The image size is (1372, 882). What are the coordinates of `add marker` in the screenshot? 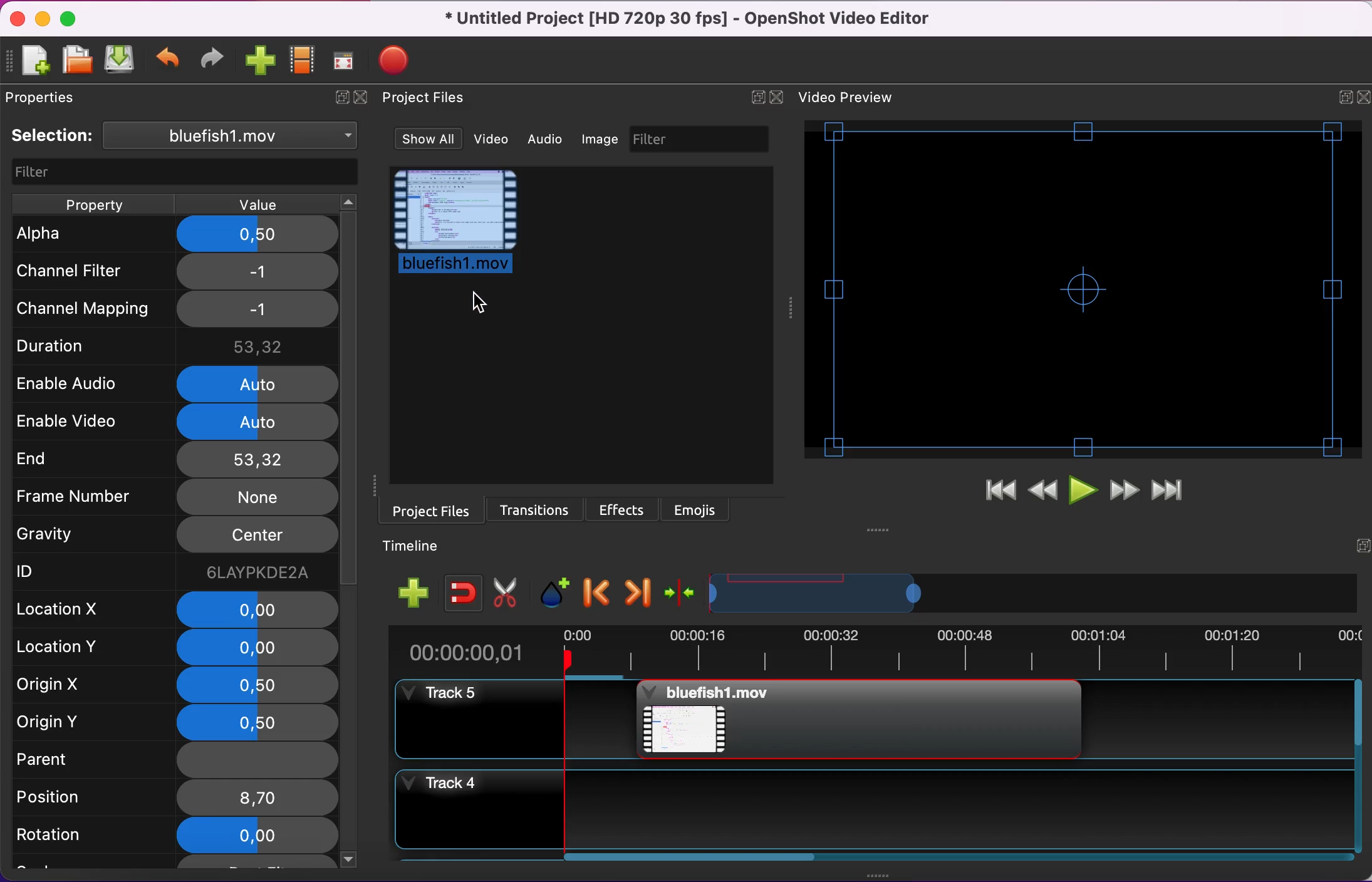 It's located at (558, 593).